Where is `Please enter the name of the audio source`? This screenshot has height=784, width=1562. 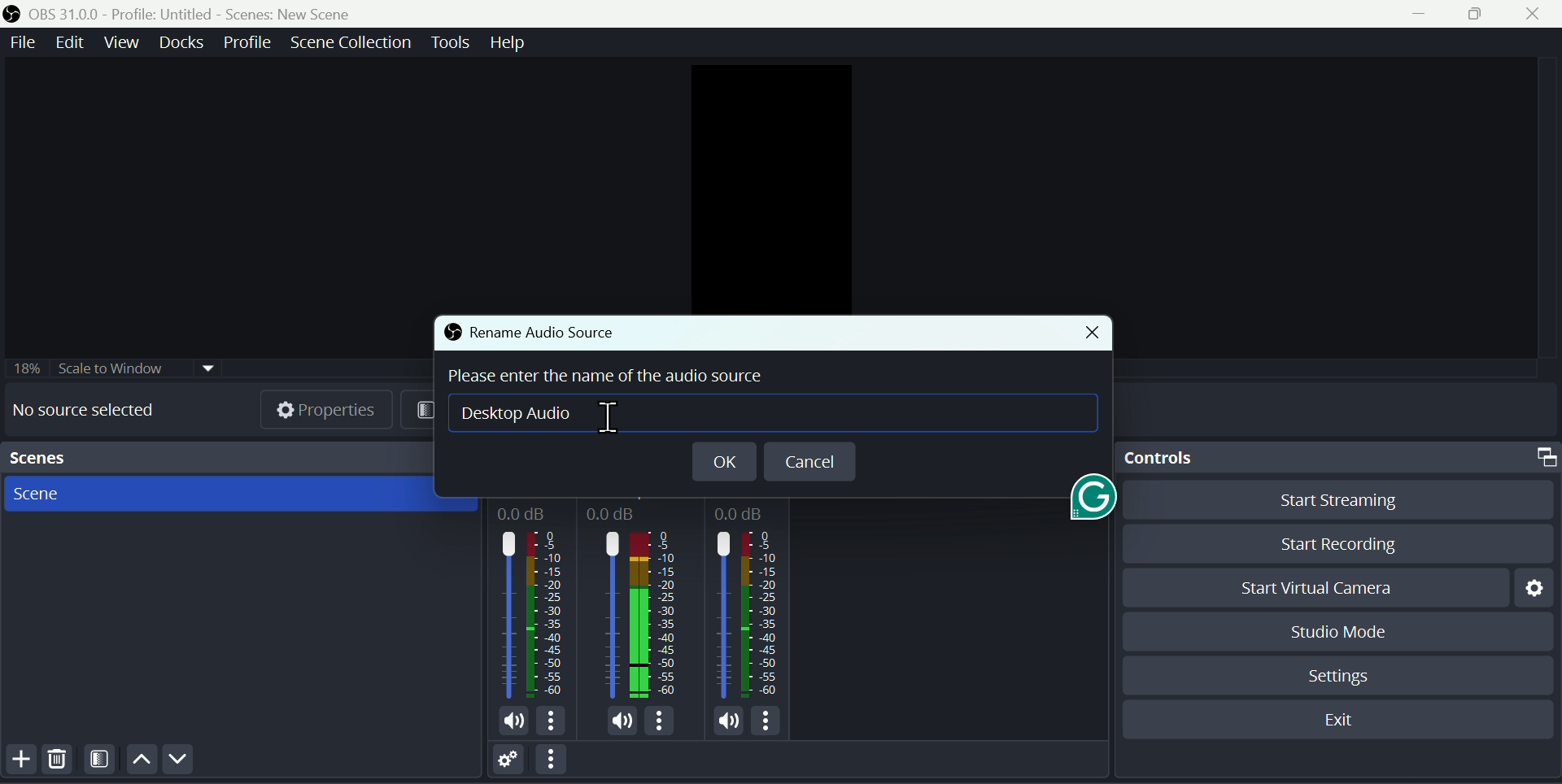 Please enter the name of the audio source is located at coordinates (618, 378).